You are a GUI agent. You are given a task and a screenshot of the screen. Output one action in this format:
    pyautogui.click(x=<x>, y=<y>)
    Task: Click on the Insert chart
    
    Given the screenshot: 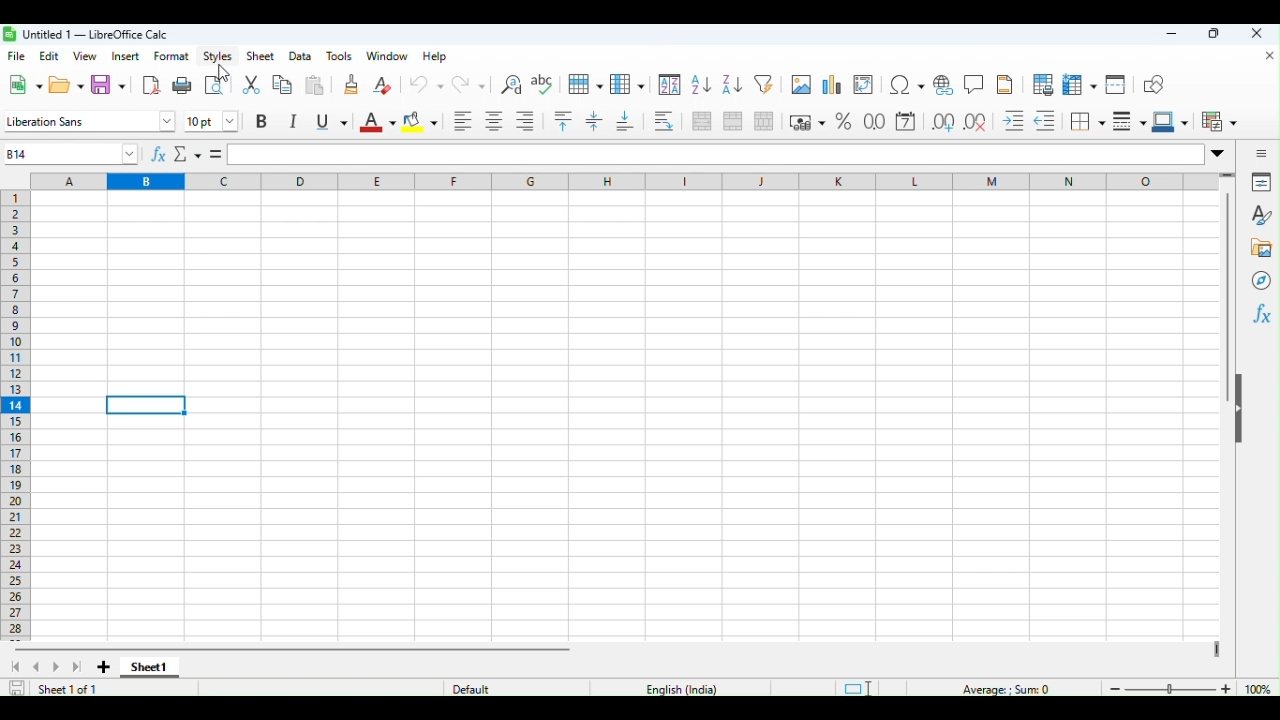 What is the action you would take?
    pyautogui.click(x=832, y=83)
    